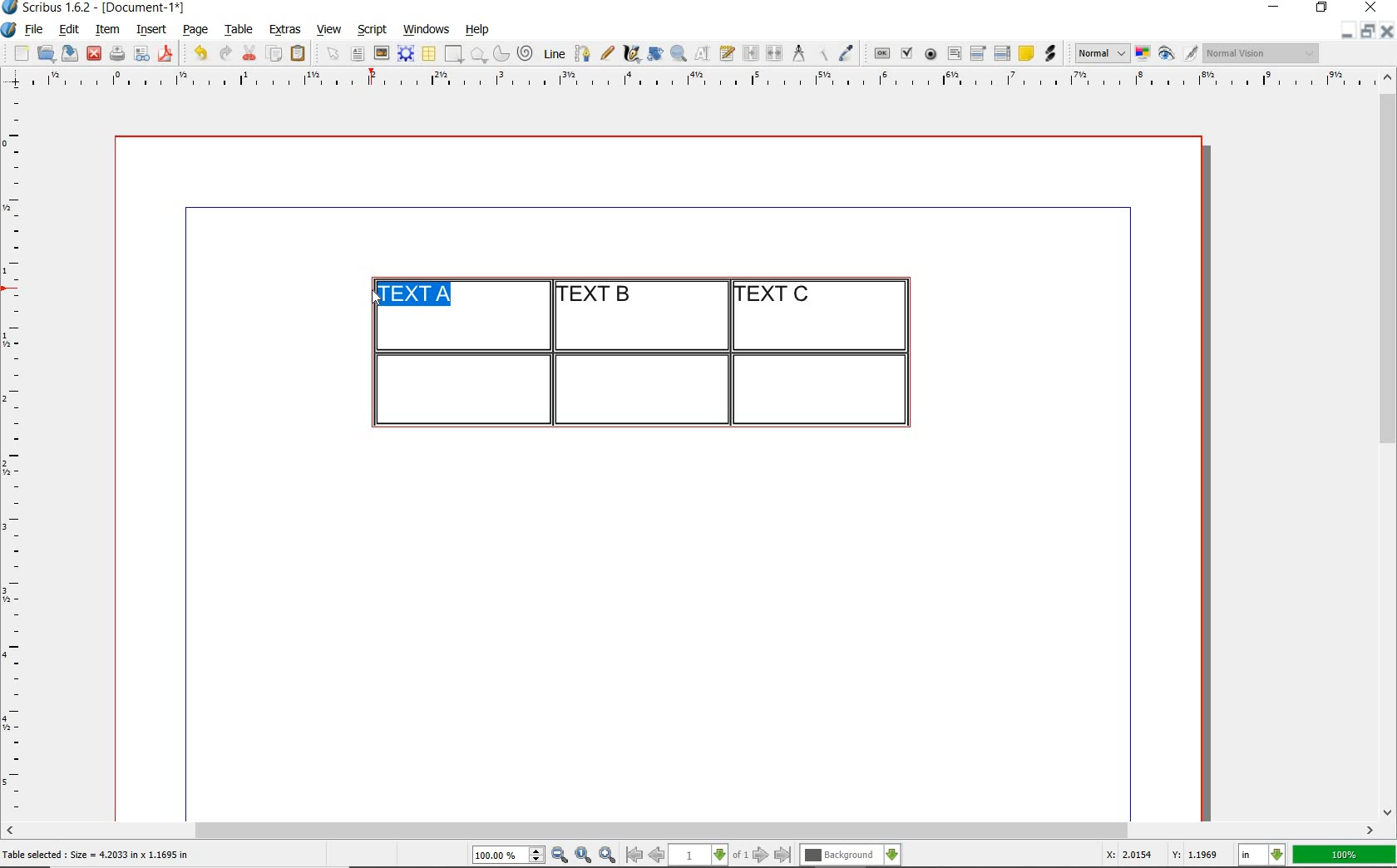  Describe the element at coordinates (526, 53) in the screenshot. I see `spiral` at that location.